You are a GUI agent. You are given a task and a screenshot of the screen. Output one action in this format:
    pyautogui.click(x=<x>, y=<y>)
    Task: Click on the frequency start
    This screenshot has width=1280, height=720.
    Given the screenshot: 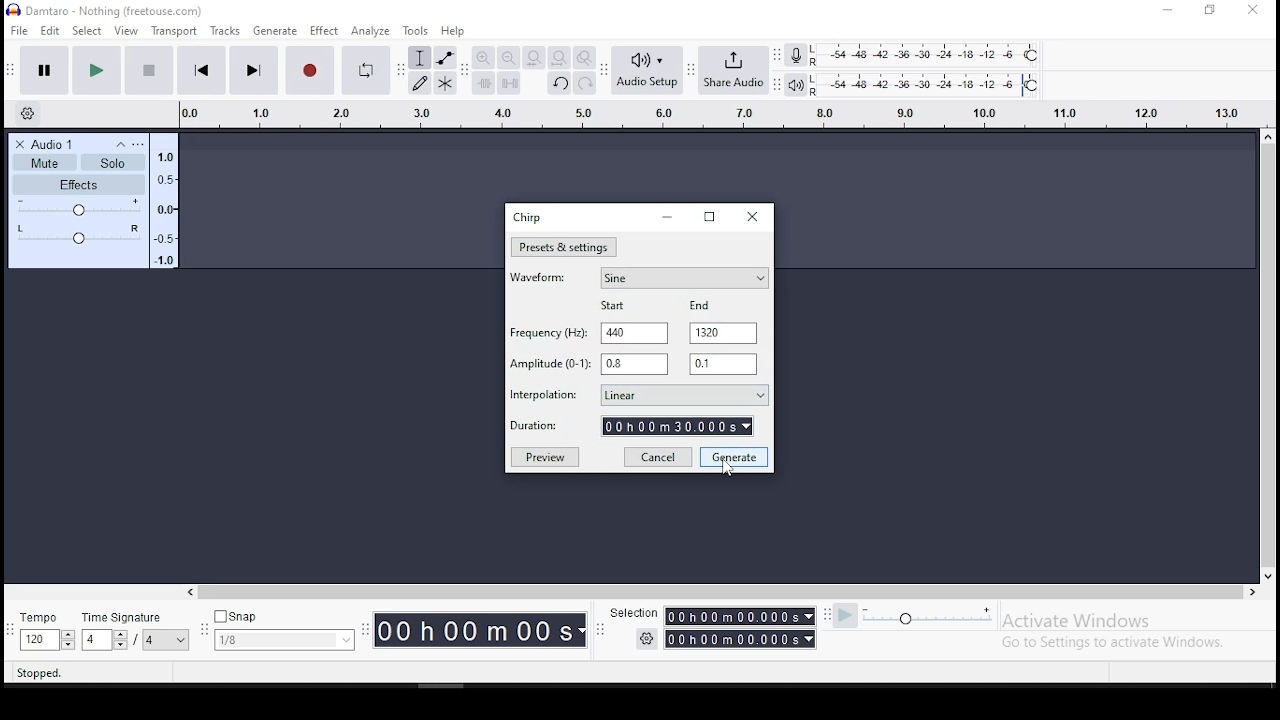 What is the action you would take?
    pyautogui.click(x=633, y=334)
    